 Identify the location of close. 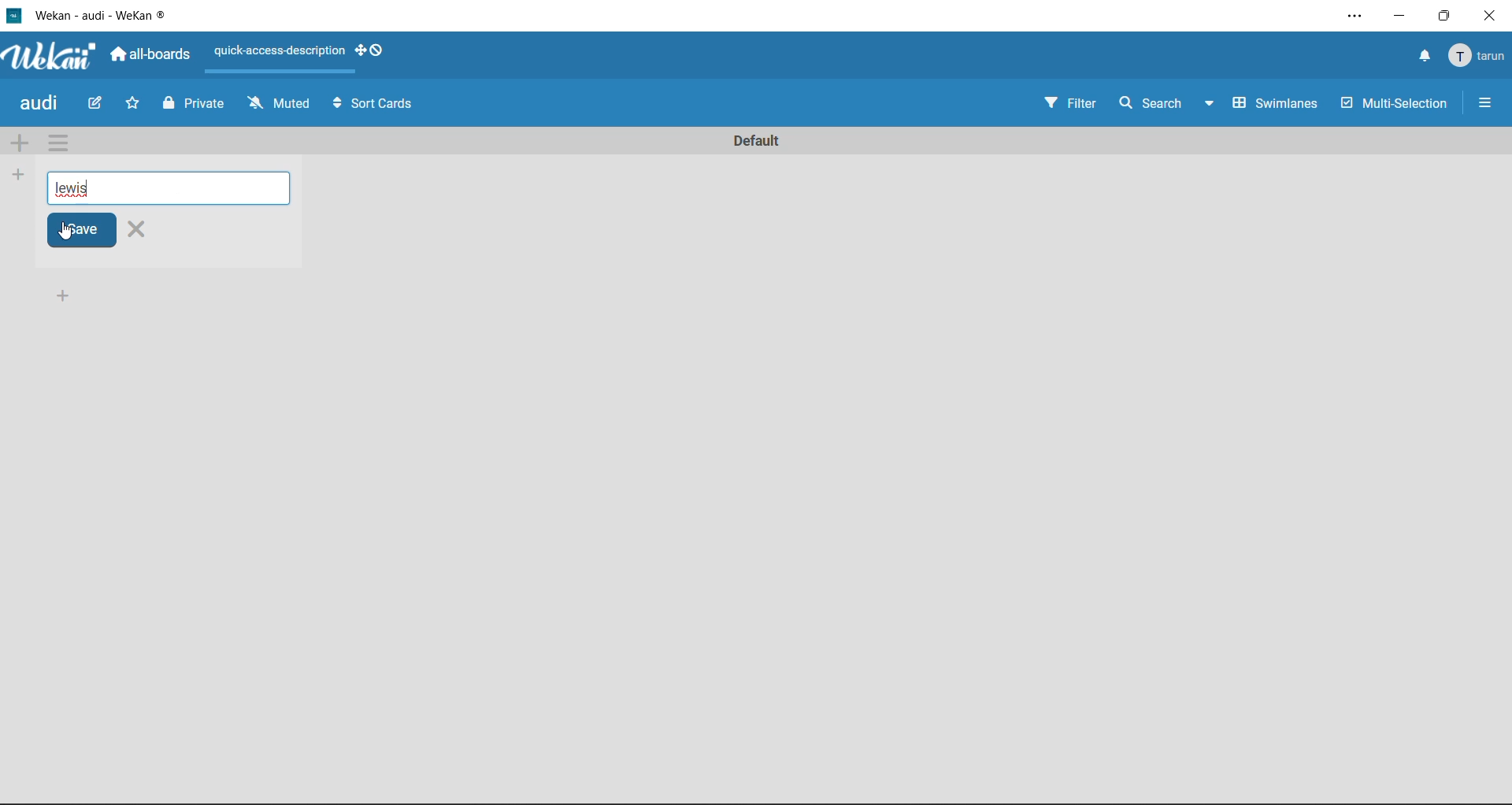
(138, 229).